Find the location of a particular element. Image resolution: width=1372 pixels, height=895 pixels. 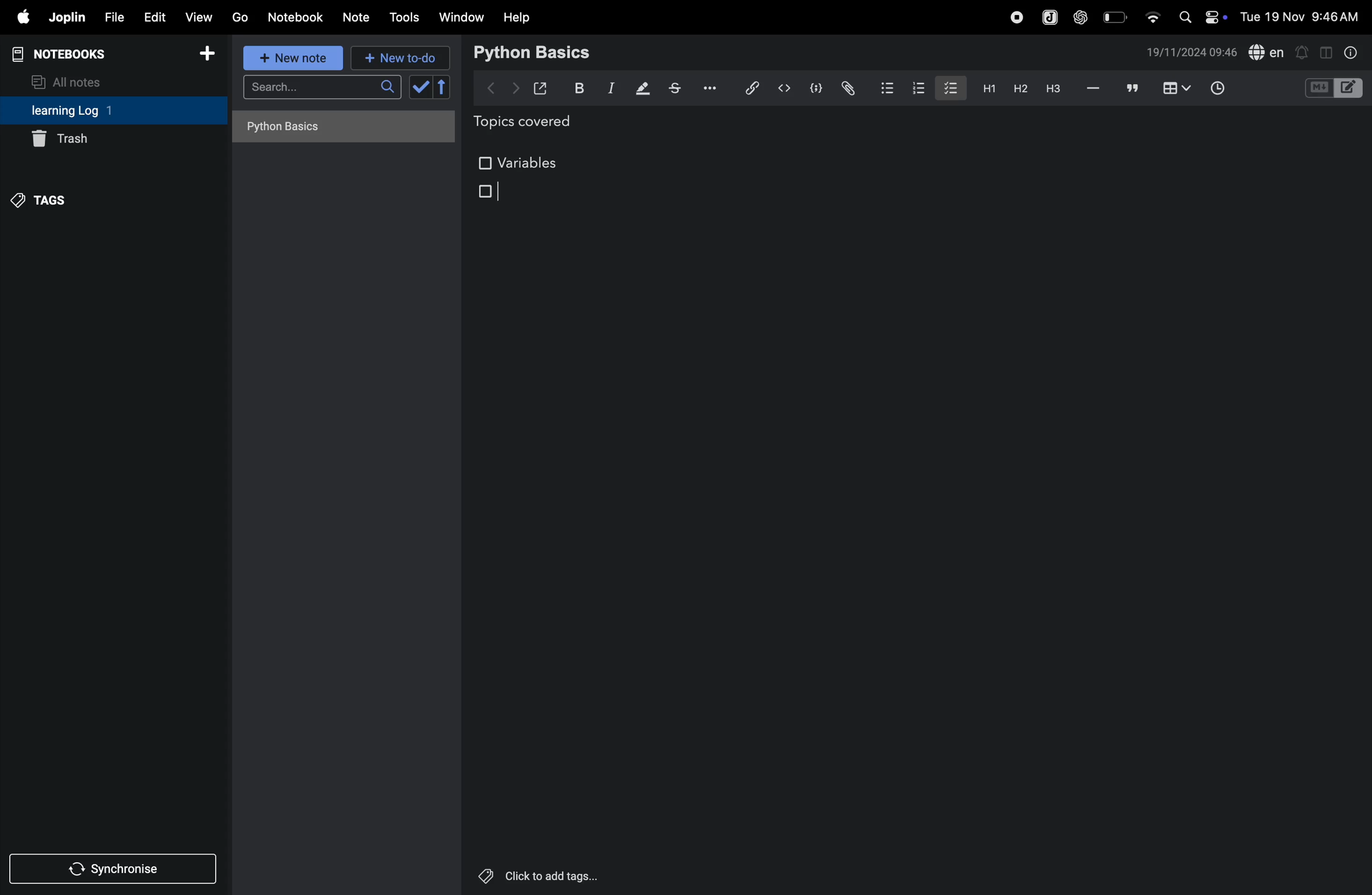

open is located at coordinates (541, 88).